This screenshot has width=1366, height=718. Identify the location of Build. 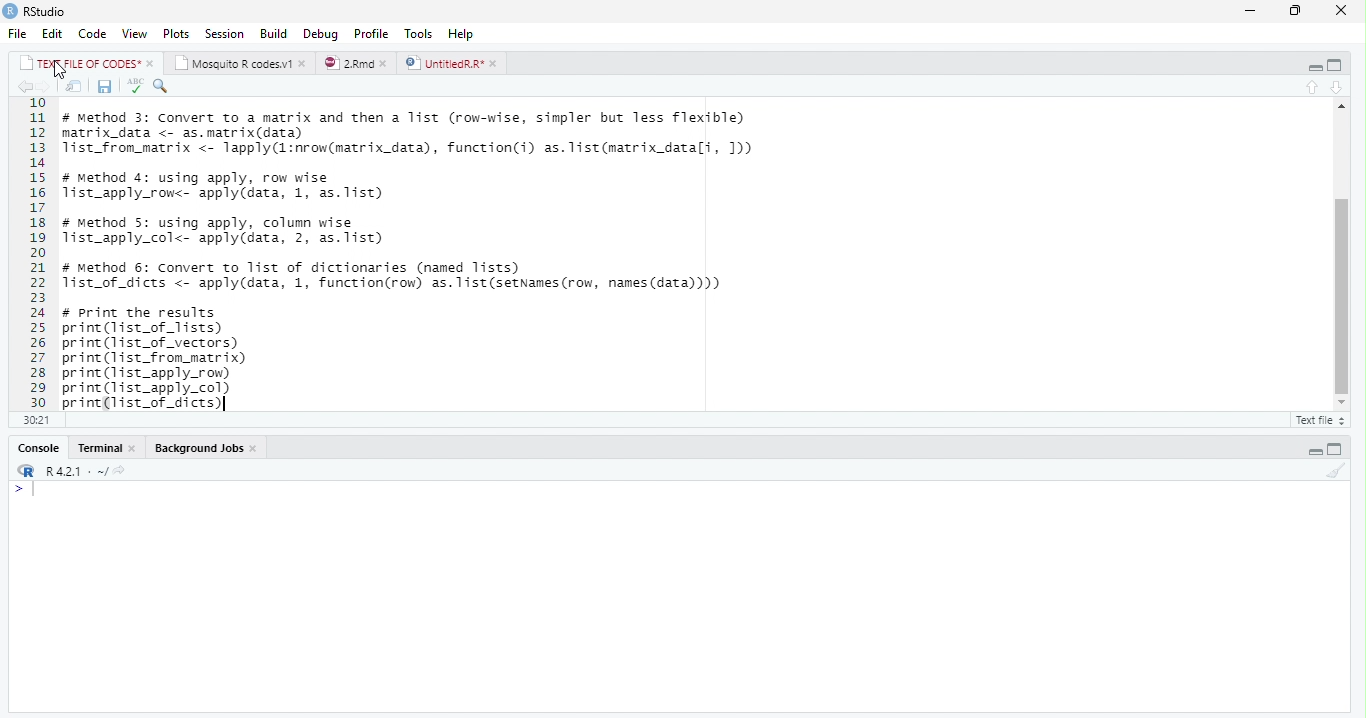
(271, 33).